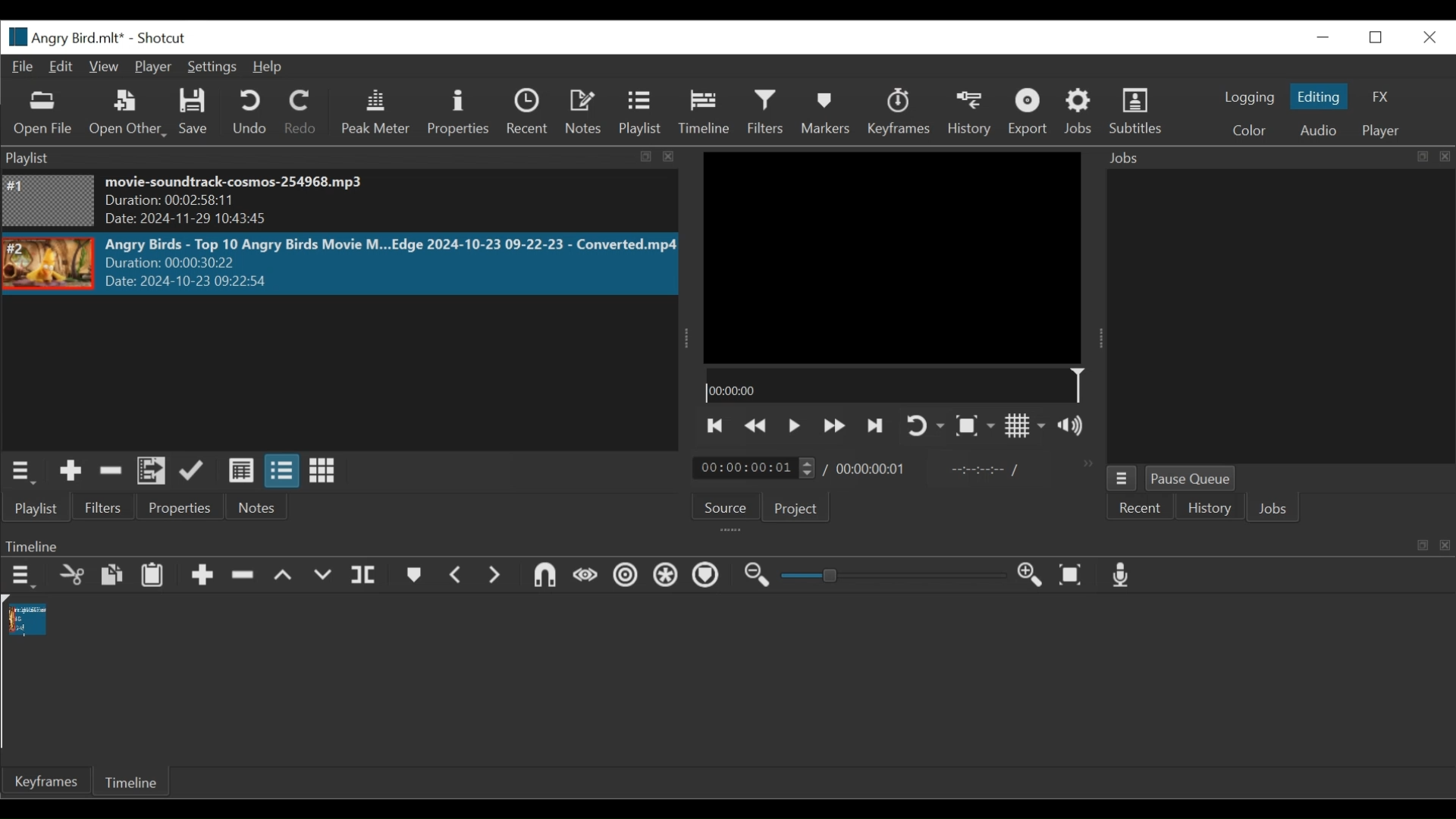 This screenshot has height=819, width=1456. Describe the element at coordinates (1195, 479) in the screenshot. I see `Pause Queue` at that location.